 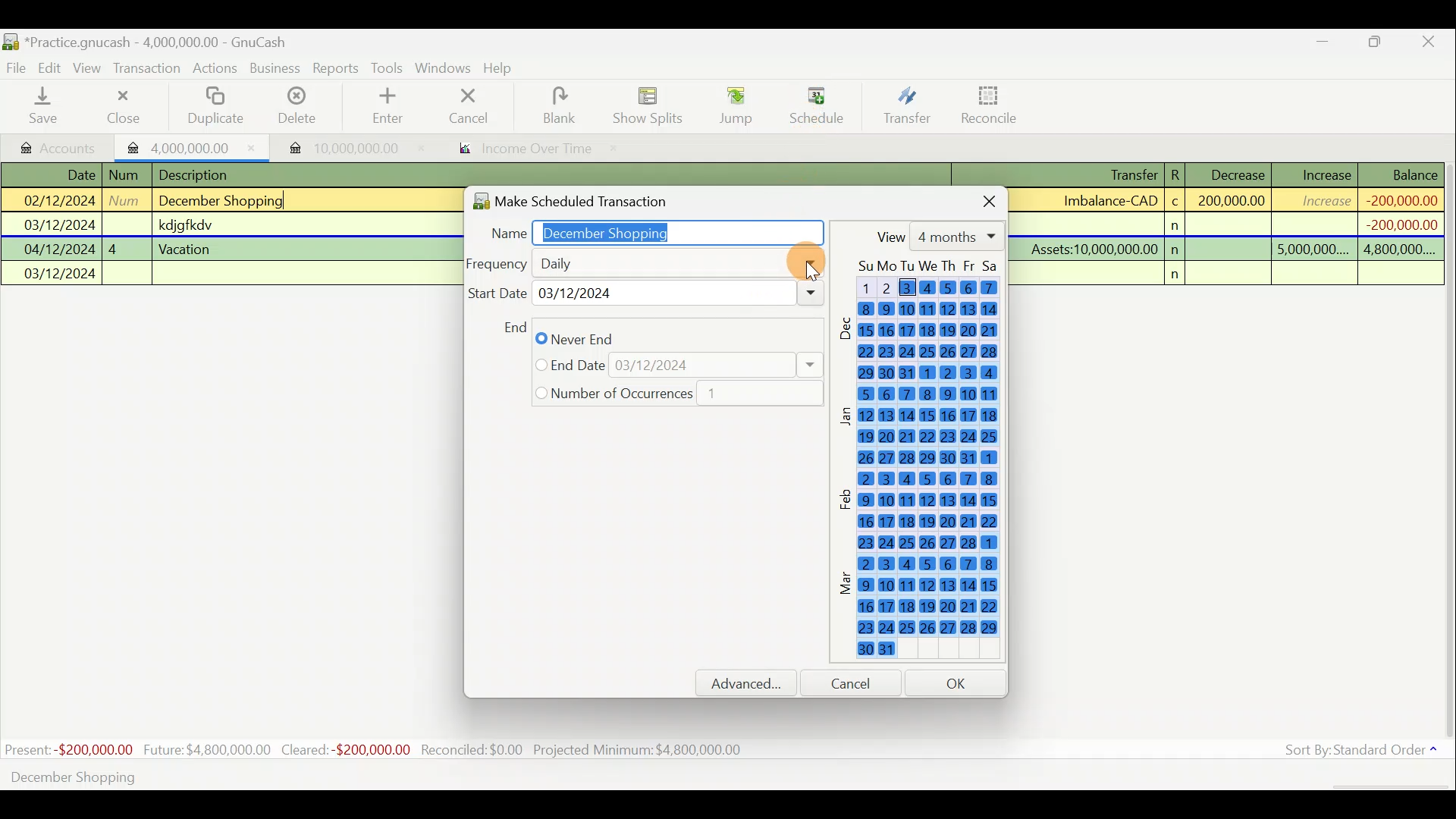 What do you see at coordinates (46, 105) in the screenshot?
I see `Save` at bounding box center [46, 105].